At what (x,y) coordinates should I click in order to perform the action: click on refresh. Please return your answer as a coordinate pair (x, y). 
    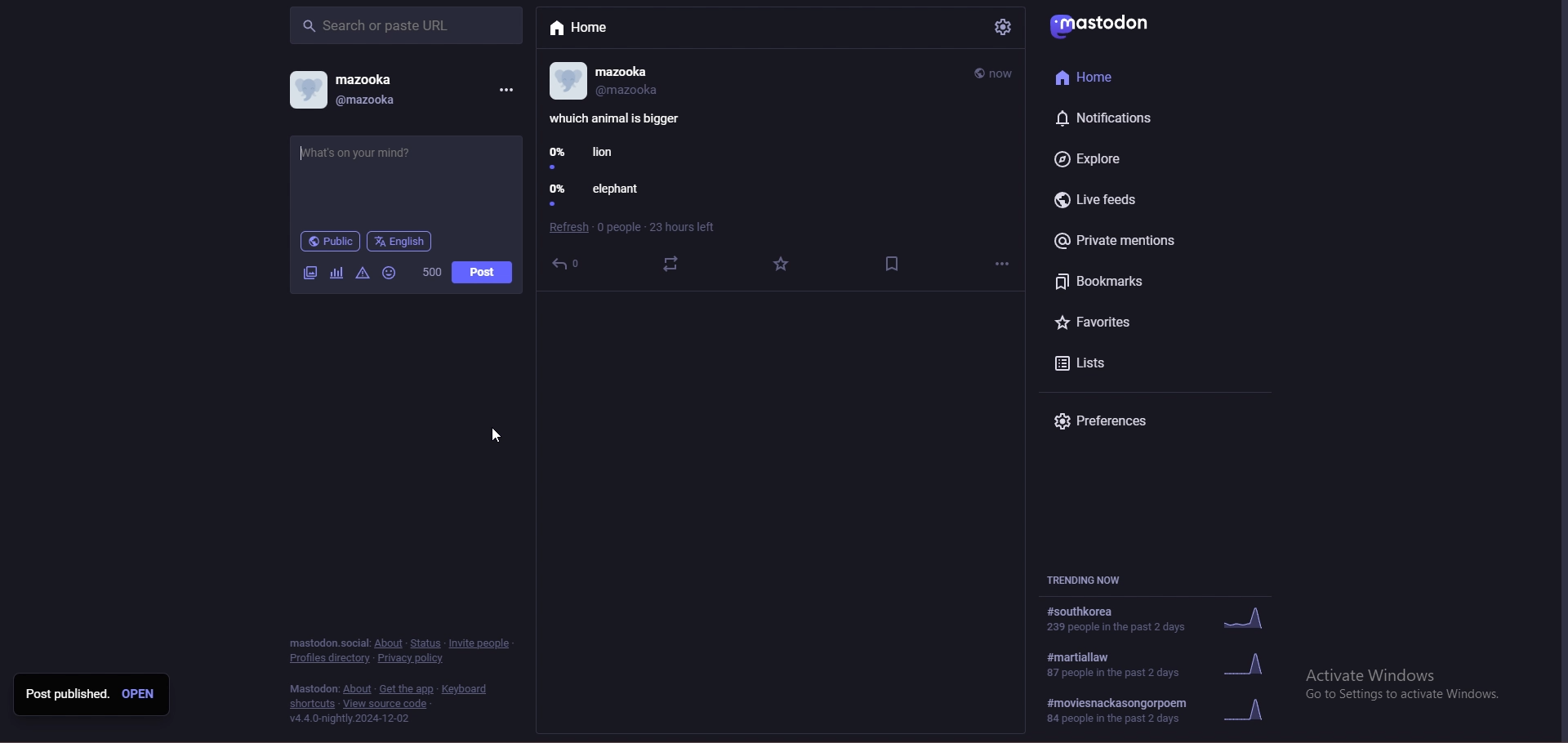
    Looking at the image, I should click on (568, 228).